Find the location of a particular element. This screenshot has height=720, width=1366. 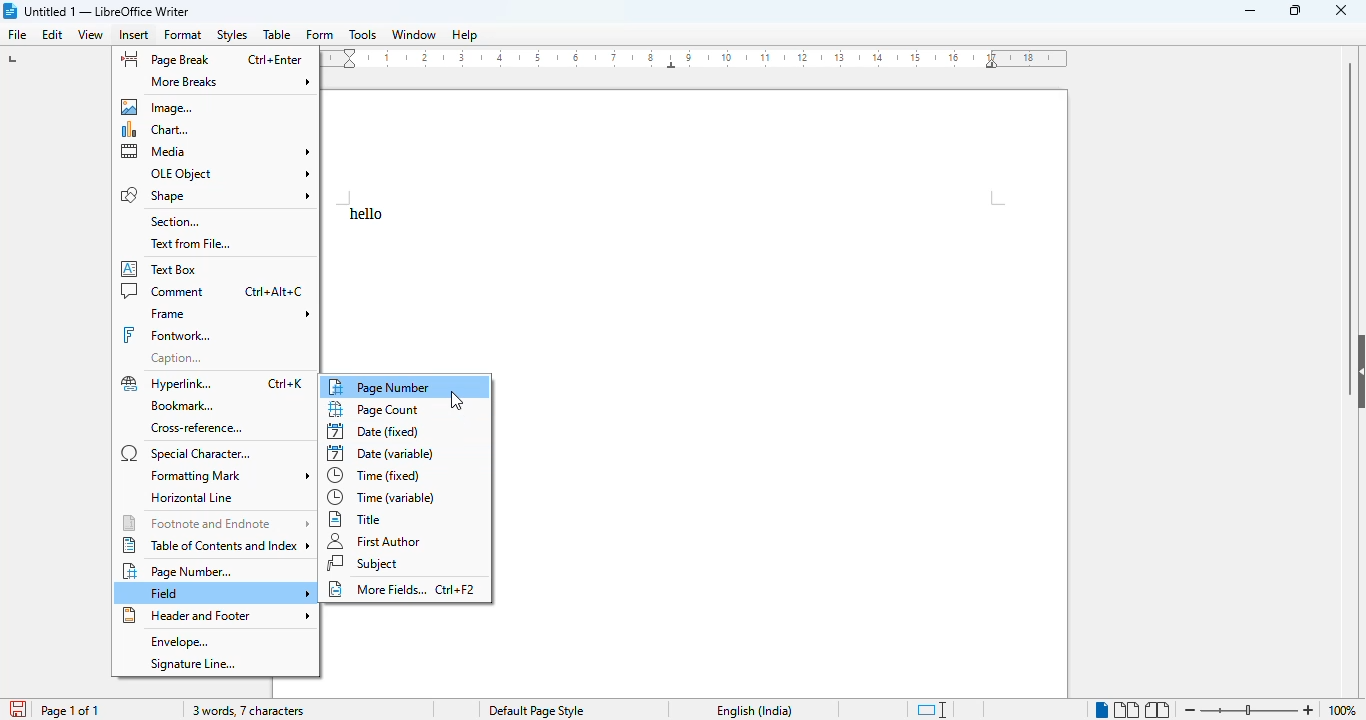

single-page view is located at coordinates (1101, 709).